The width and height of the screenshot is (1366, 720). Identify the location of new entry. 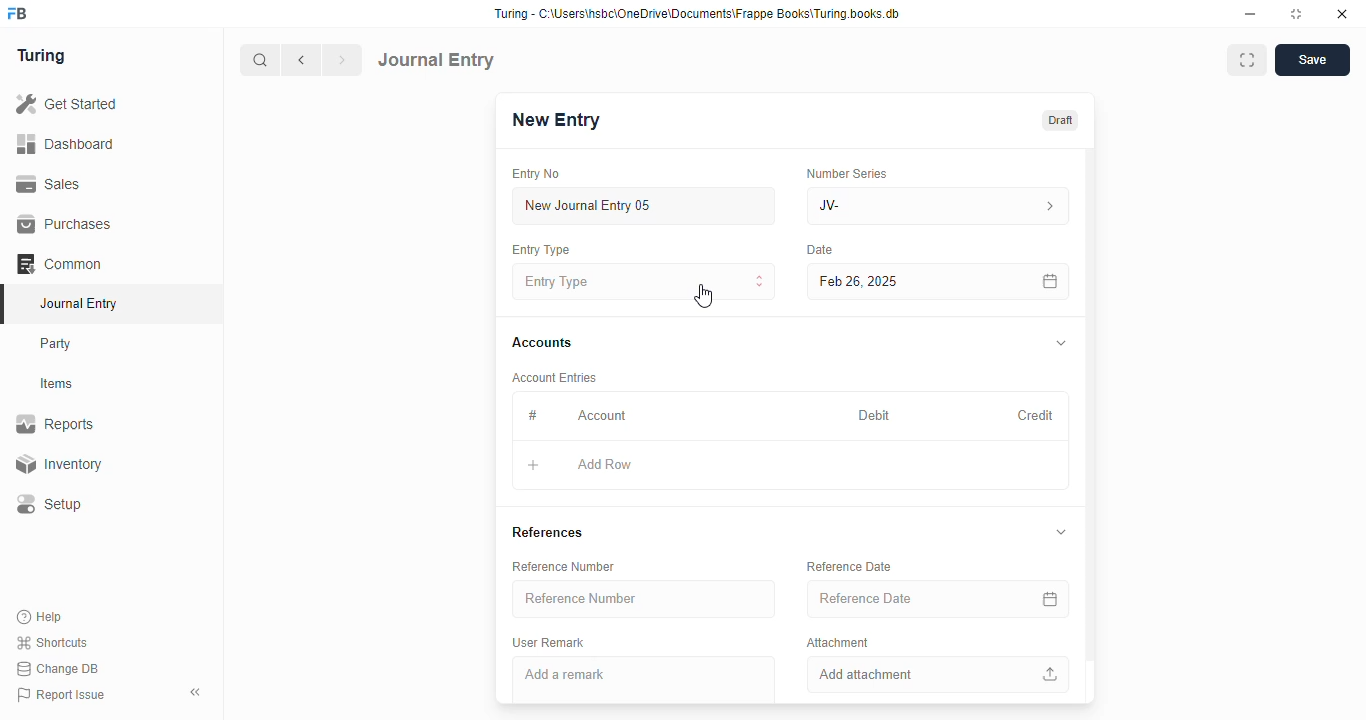
(555, 120).